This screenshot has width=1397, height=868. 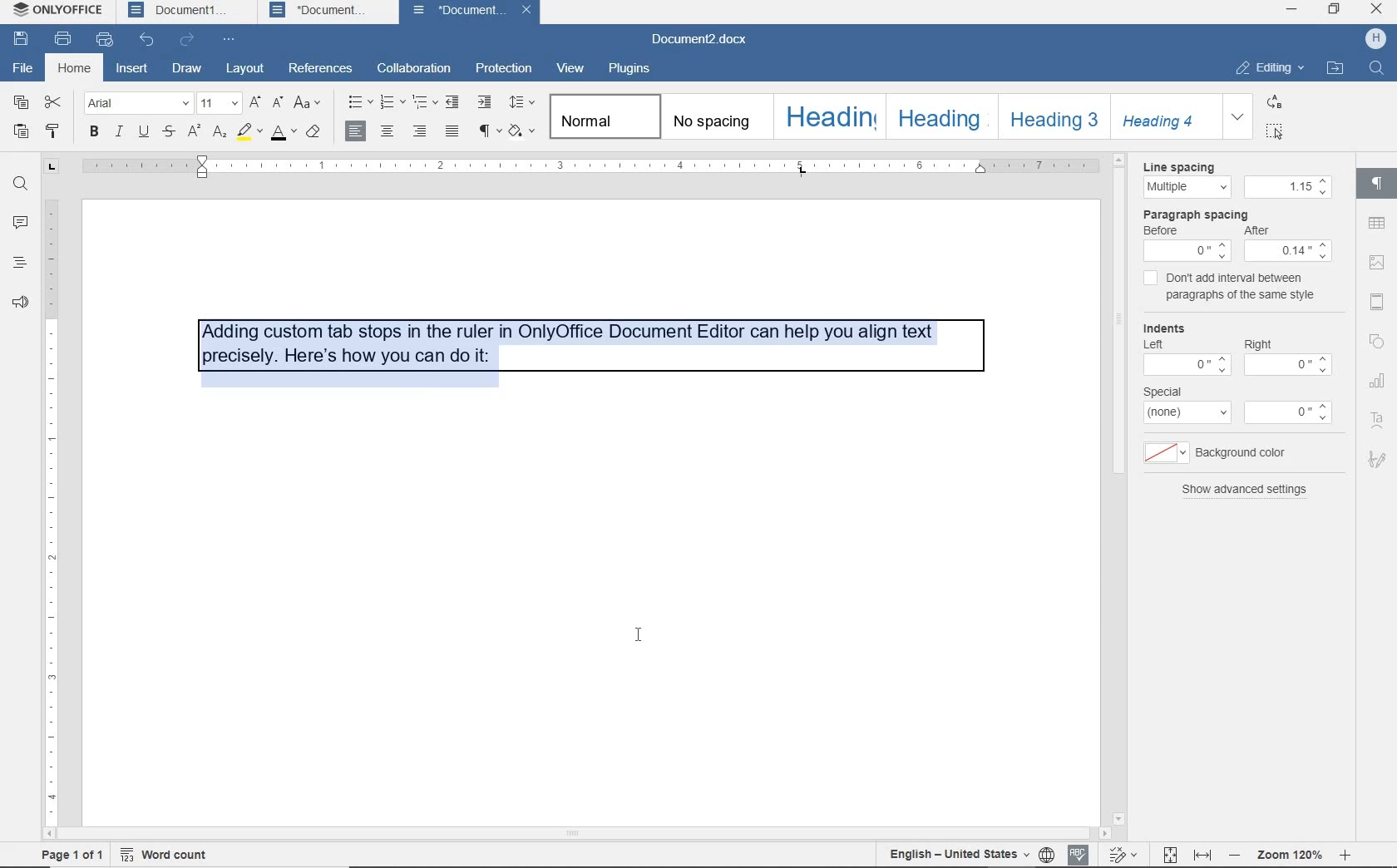 What do you see at coordinates (1376, 72) in the screenshot?
I see `search` at bounding box center [1376, 72].